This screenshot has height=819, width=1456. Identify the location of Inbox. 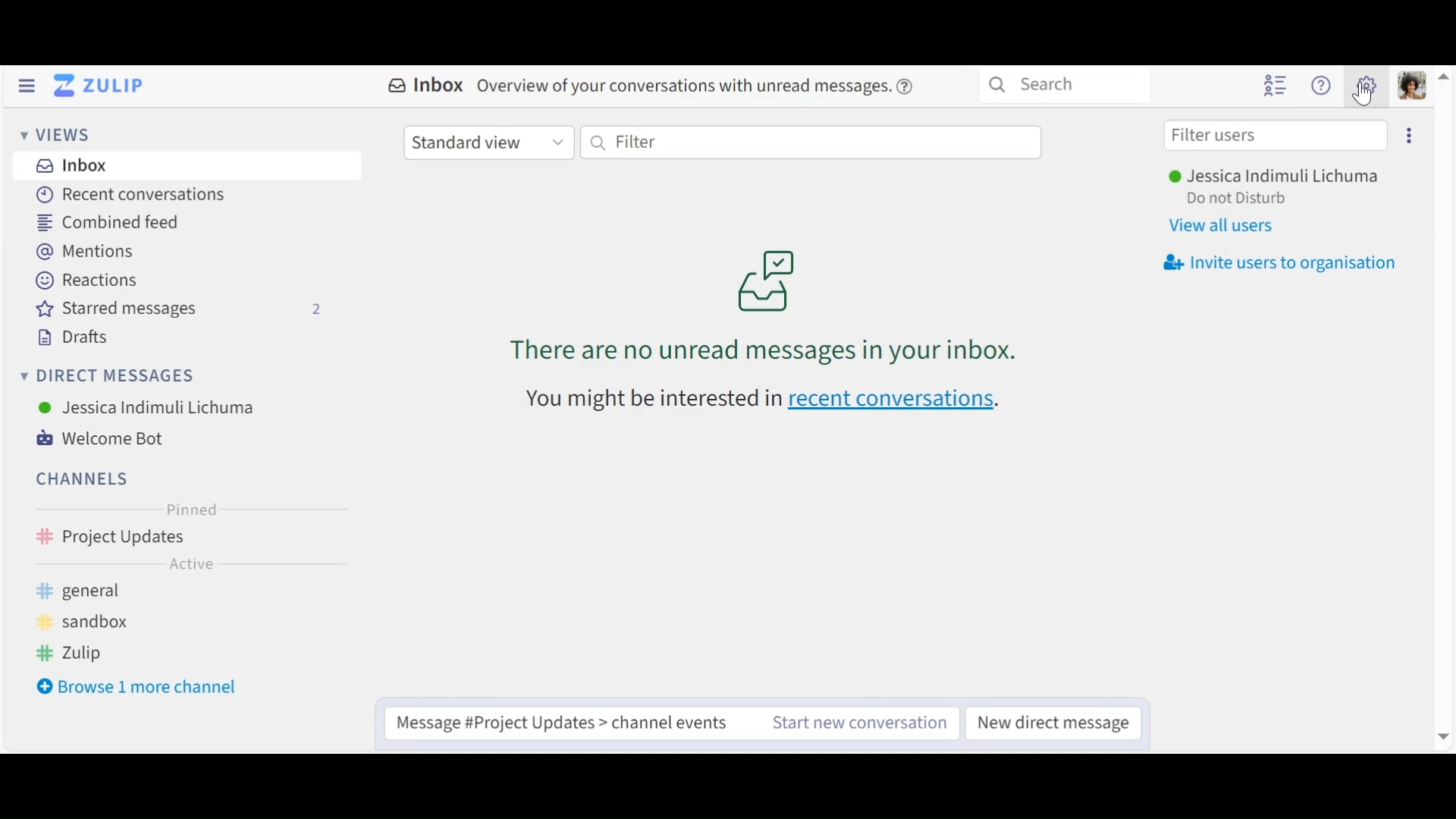
(69, 165).